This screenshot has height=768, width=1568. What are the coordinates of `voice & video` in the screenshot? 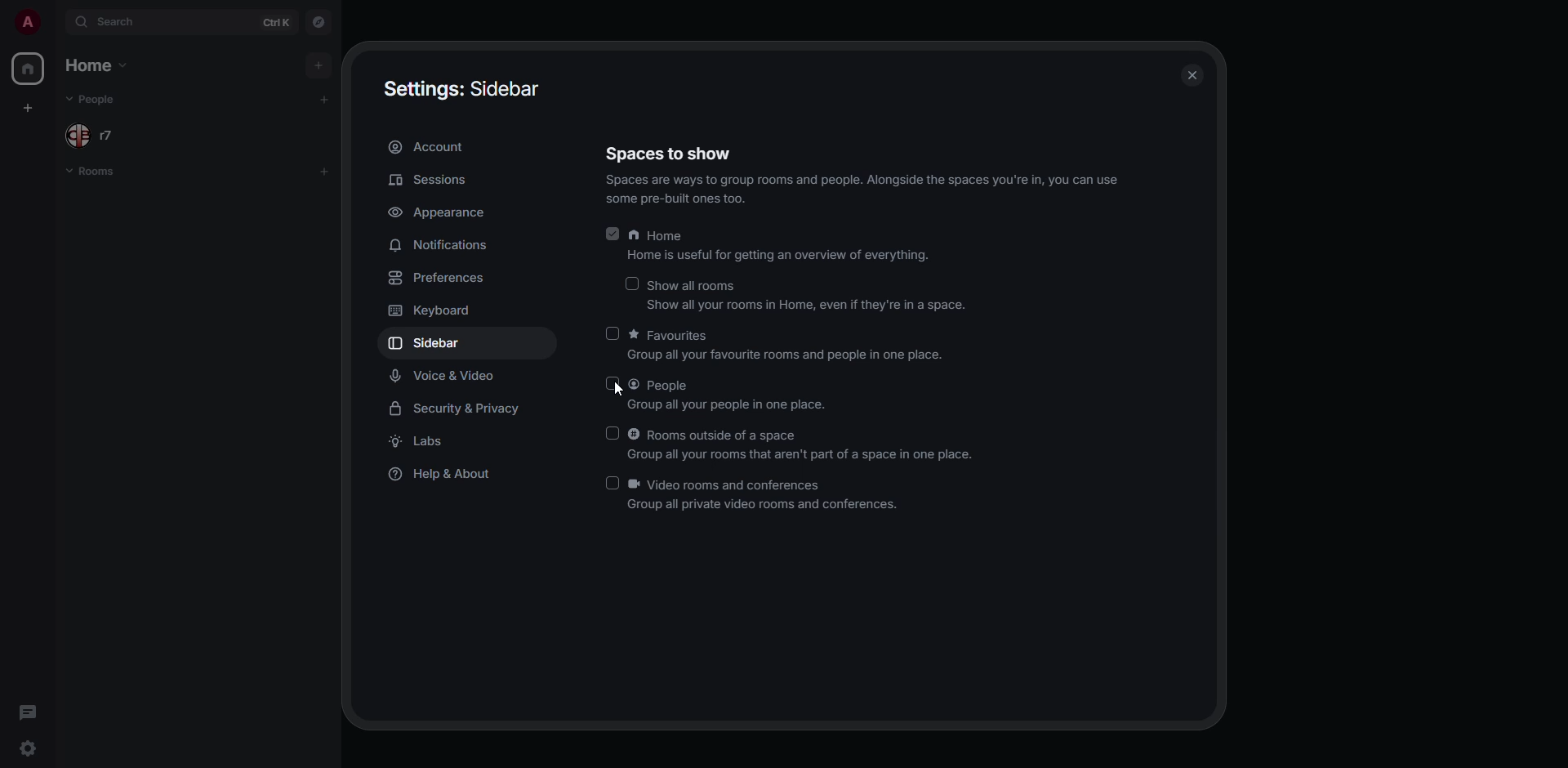 It's located at (444, 378).